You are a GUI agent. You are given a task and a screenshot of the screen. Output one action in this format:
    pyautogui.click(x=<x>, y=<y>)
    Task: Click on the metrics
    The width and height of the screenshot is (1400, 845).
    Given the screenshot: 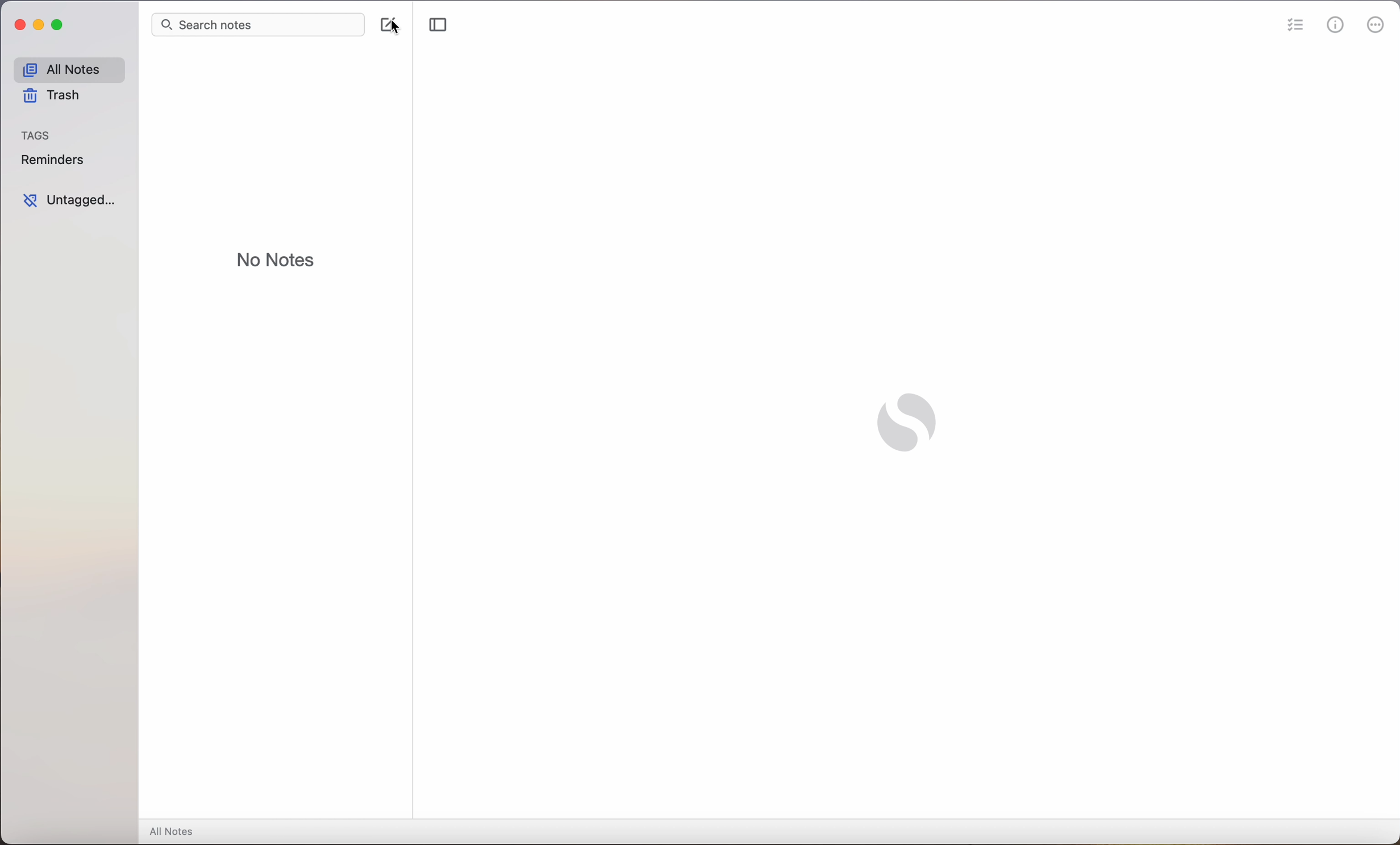 What is the action you would take?
    pyautogui.click(x=1335, y=26)
    